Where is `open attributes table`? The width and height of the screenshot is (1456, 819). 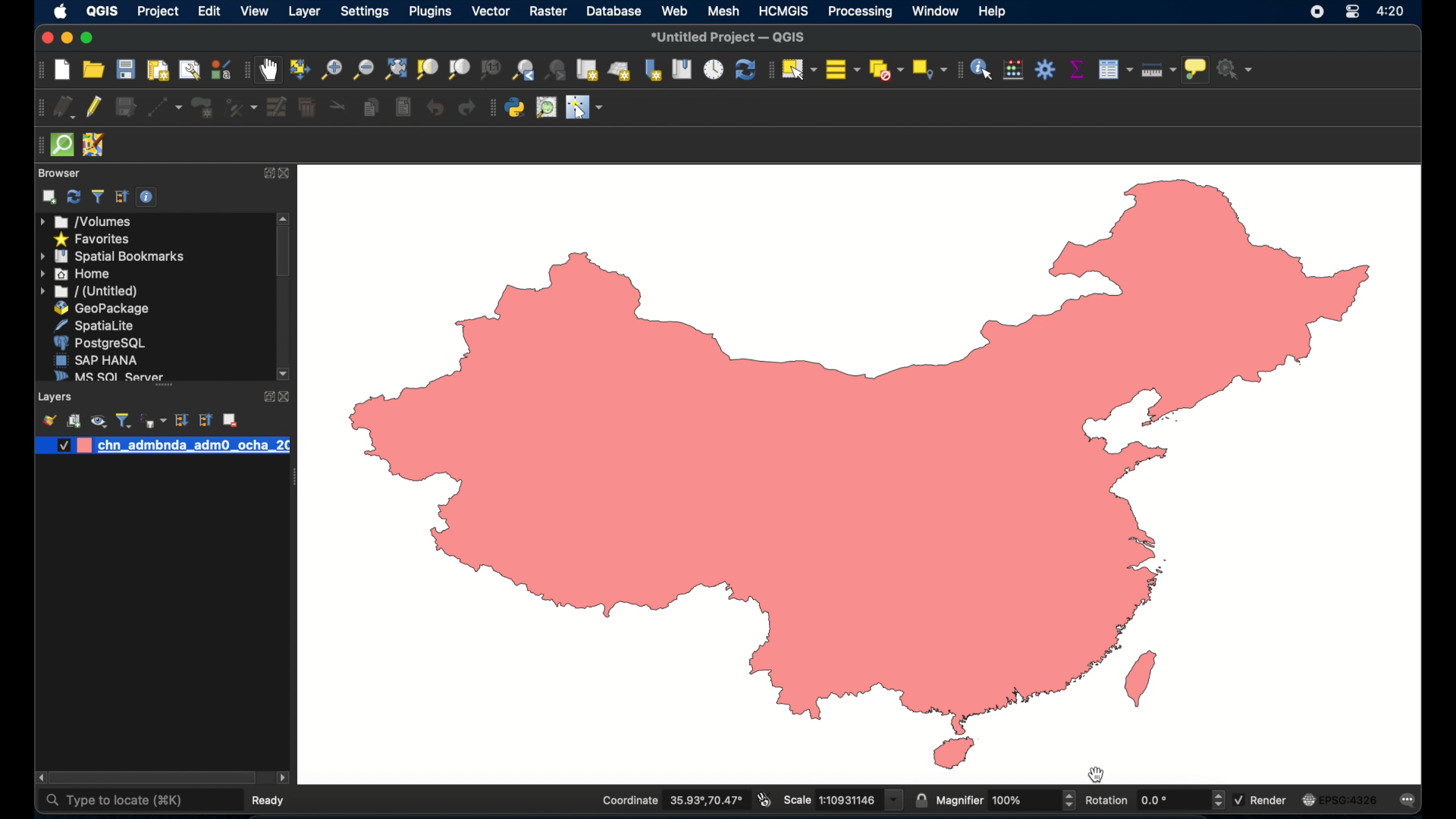 open attributes table is located at coordinates (1115, 70).